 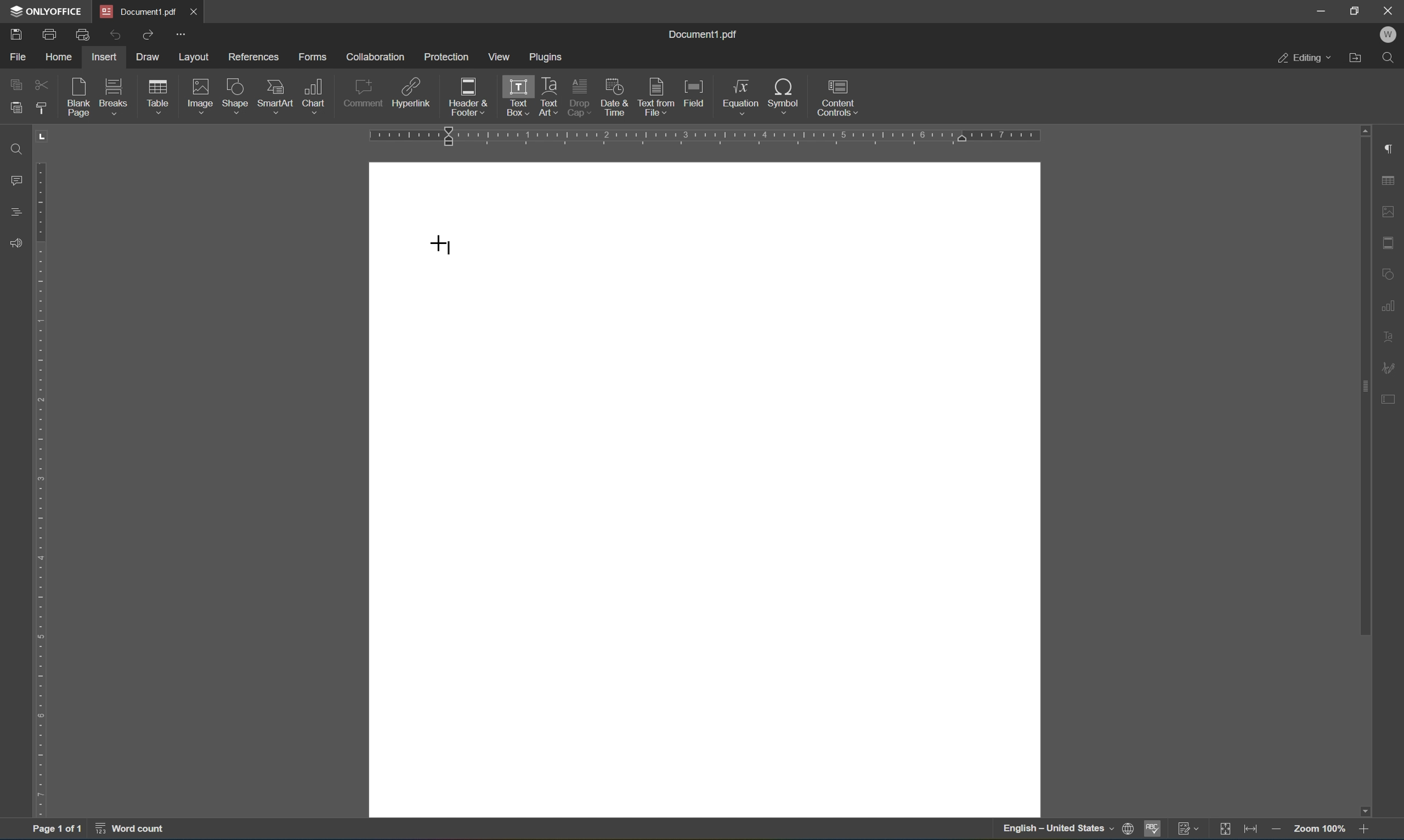 I want to click on comment, so click(x=363, y=96).